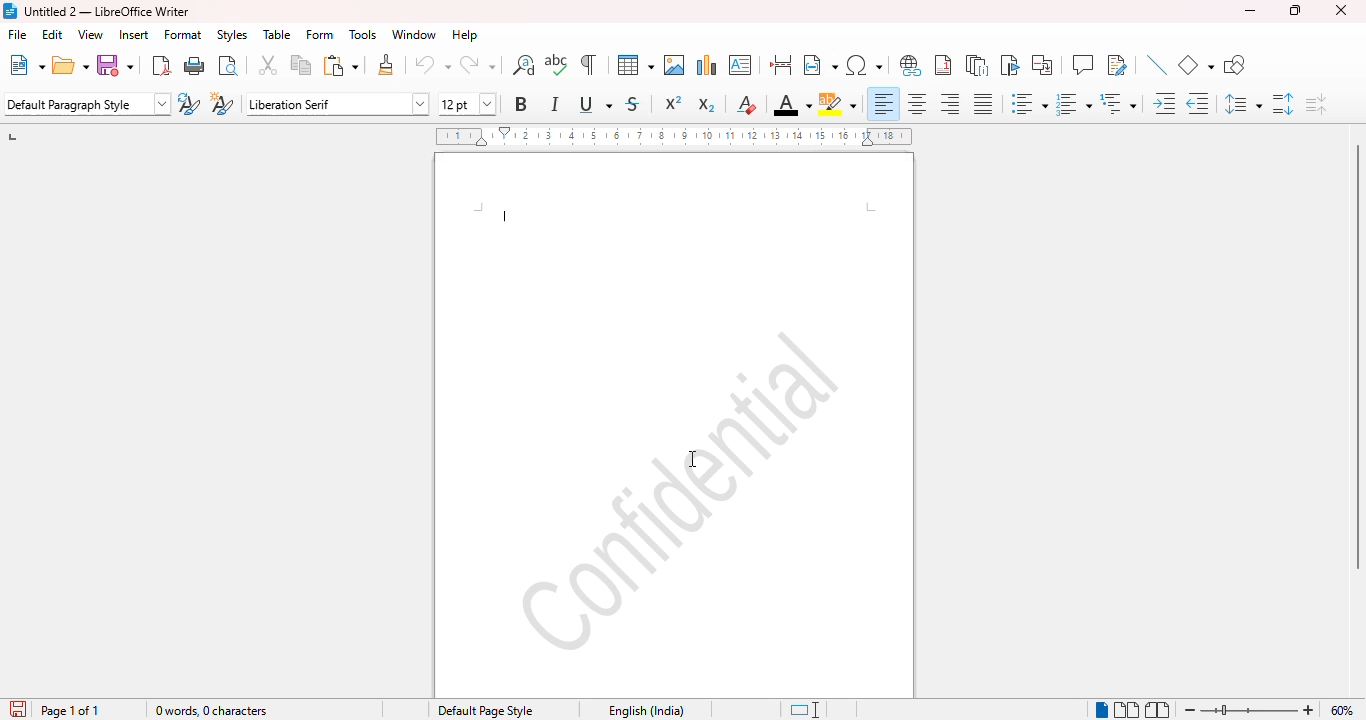  I want to click on italic, so click(554, 104).